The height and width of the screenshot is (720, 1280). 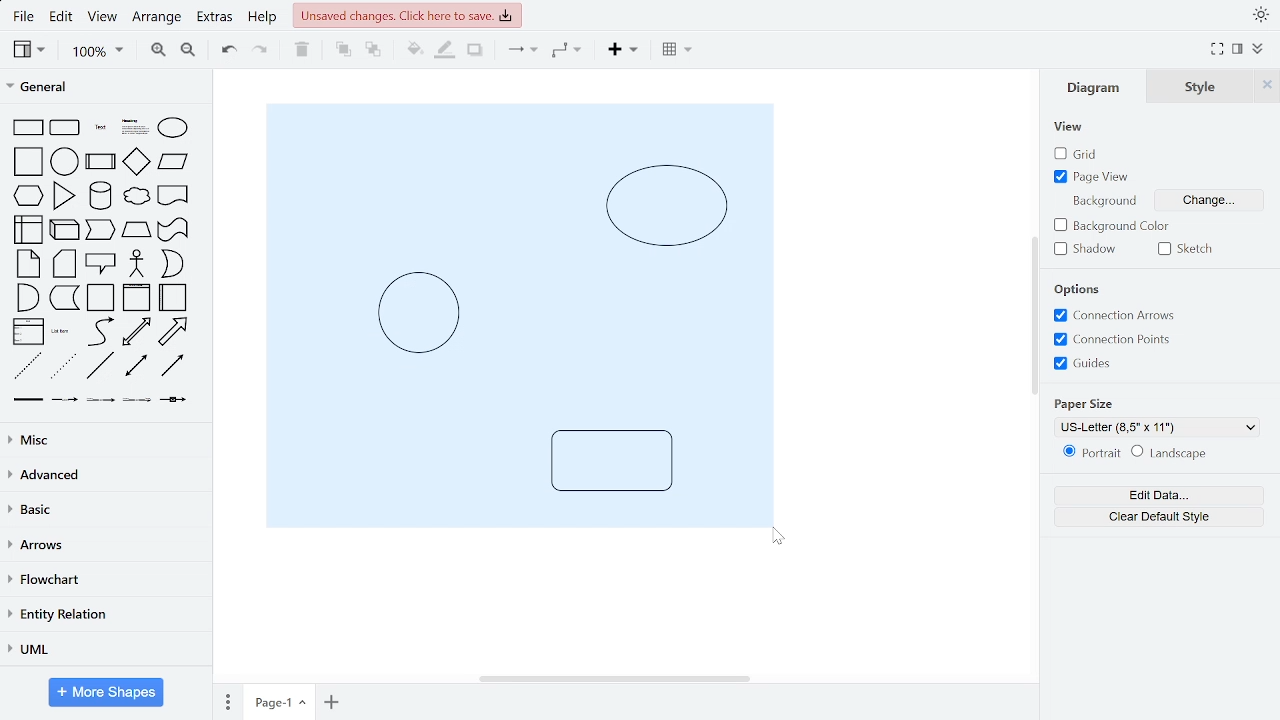 What do you see at coordinates (261, 52) in the screenshot?
I see `redo` at bounding box center [261, 52].